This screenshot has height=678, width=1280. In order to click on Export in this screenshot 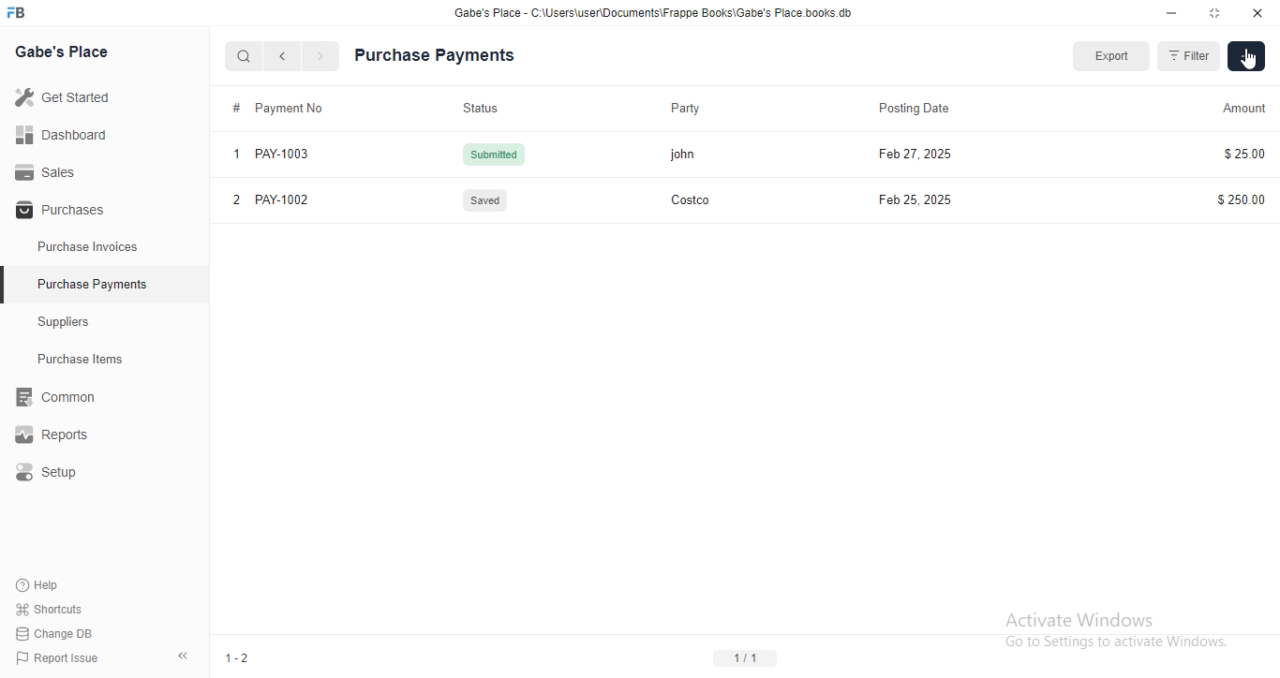, I will do `click(1112, 56)`.